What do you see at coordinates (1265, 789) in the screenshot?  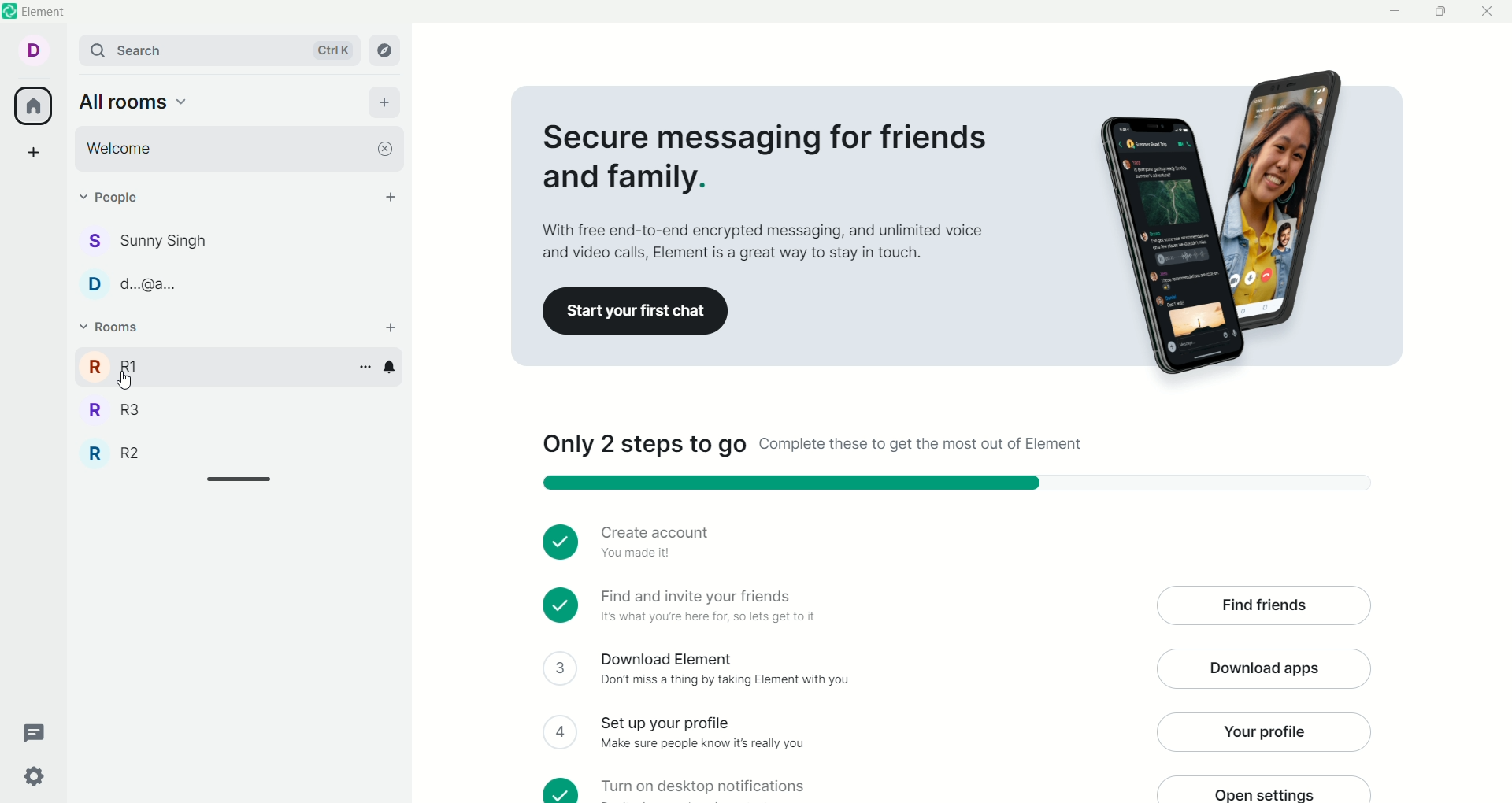 I see `Click to open settings` at bounding box center [1265, 789].